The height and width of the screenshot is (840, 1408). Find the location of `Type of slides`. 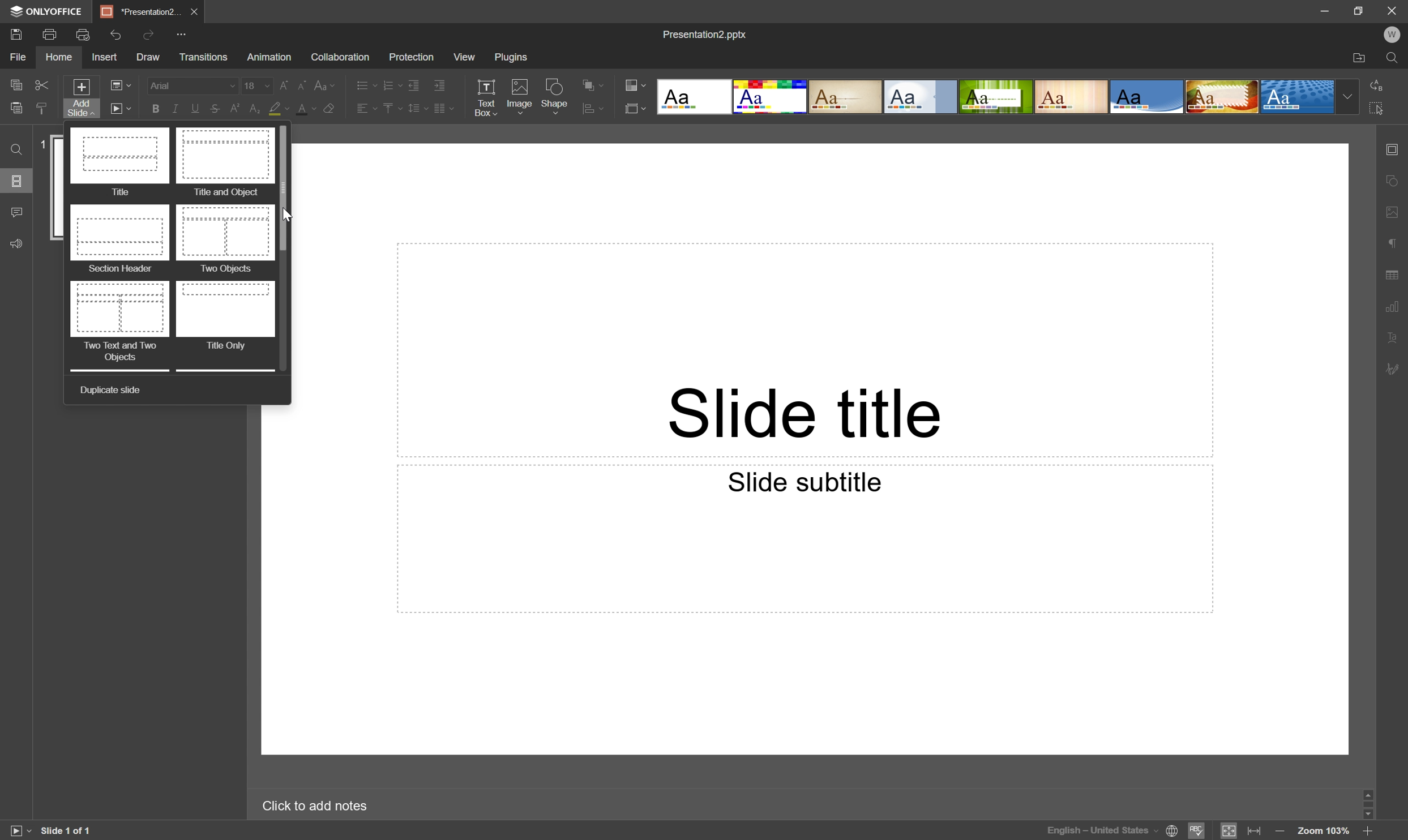

Type of slides is located at coordinates (170, 247).